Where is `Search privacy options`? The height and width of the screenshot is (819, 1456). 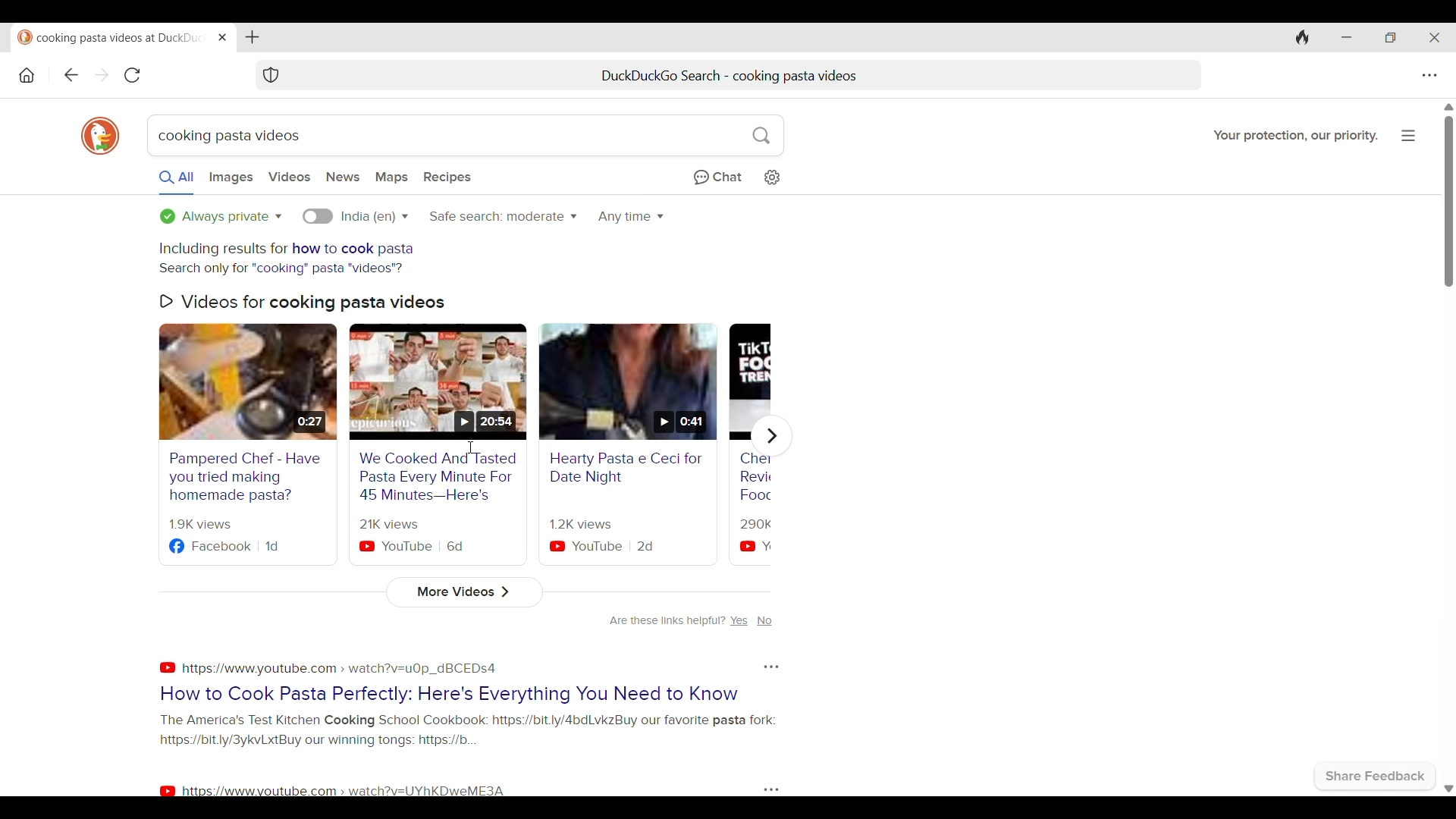
Search privacy options is located at coordinates (220, 215).